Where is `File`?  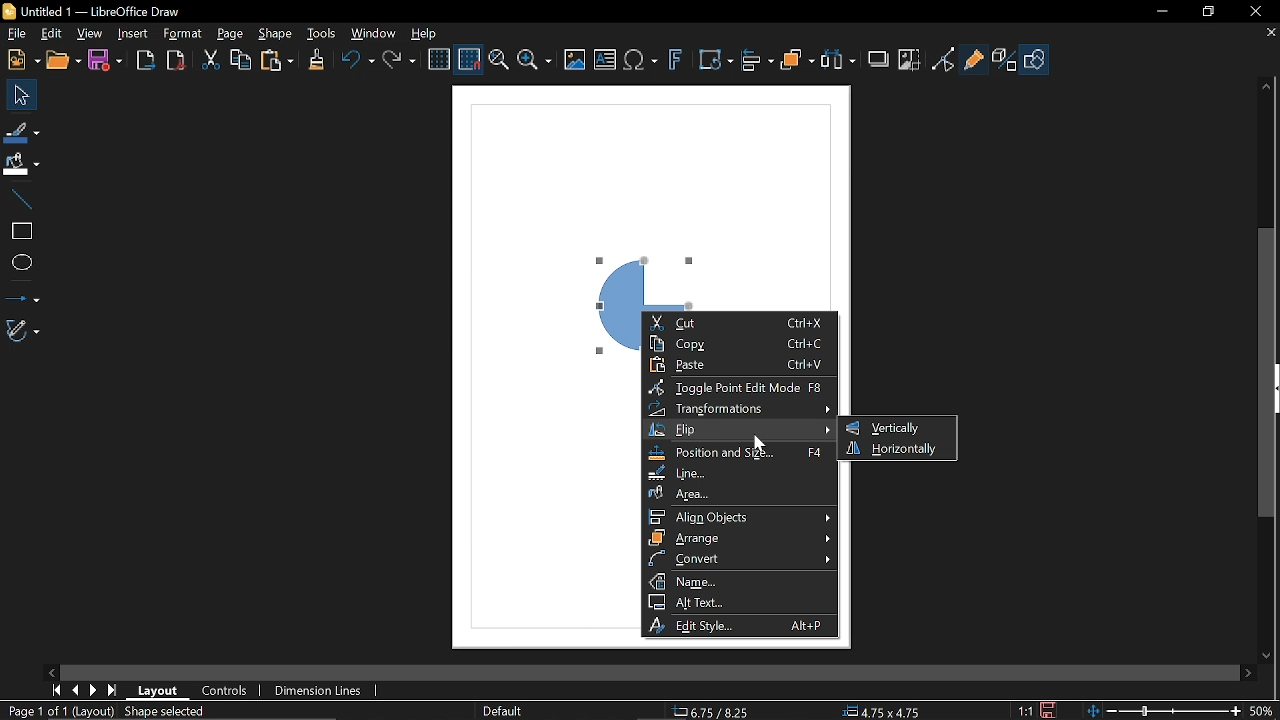
File is located at coordinates (14, 33).